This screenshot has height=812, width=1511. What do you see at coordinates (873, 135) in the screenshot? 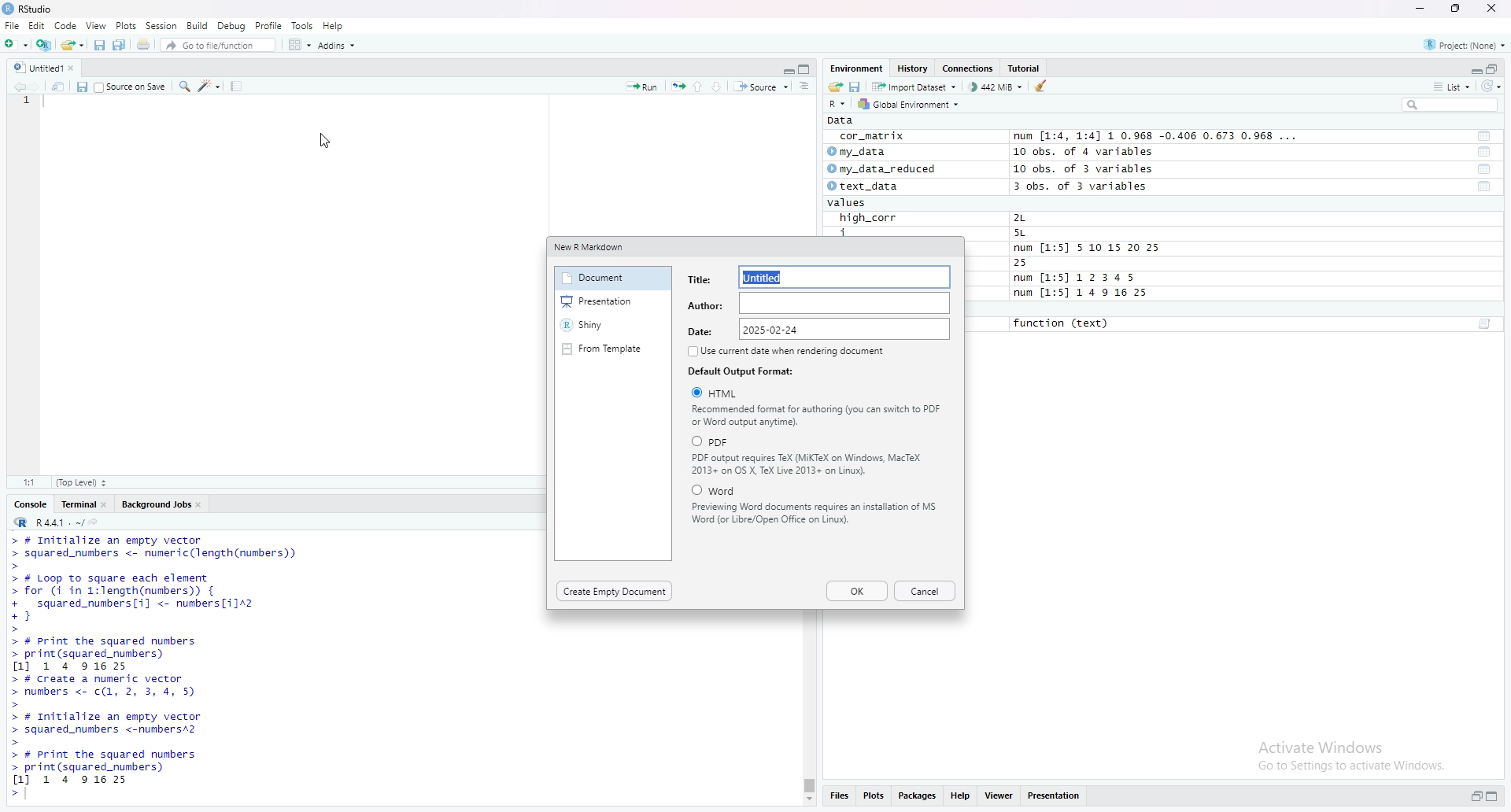
I see `cor_matrix` at bounding box center [873, 135].